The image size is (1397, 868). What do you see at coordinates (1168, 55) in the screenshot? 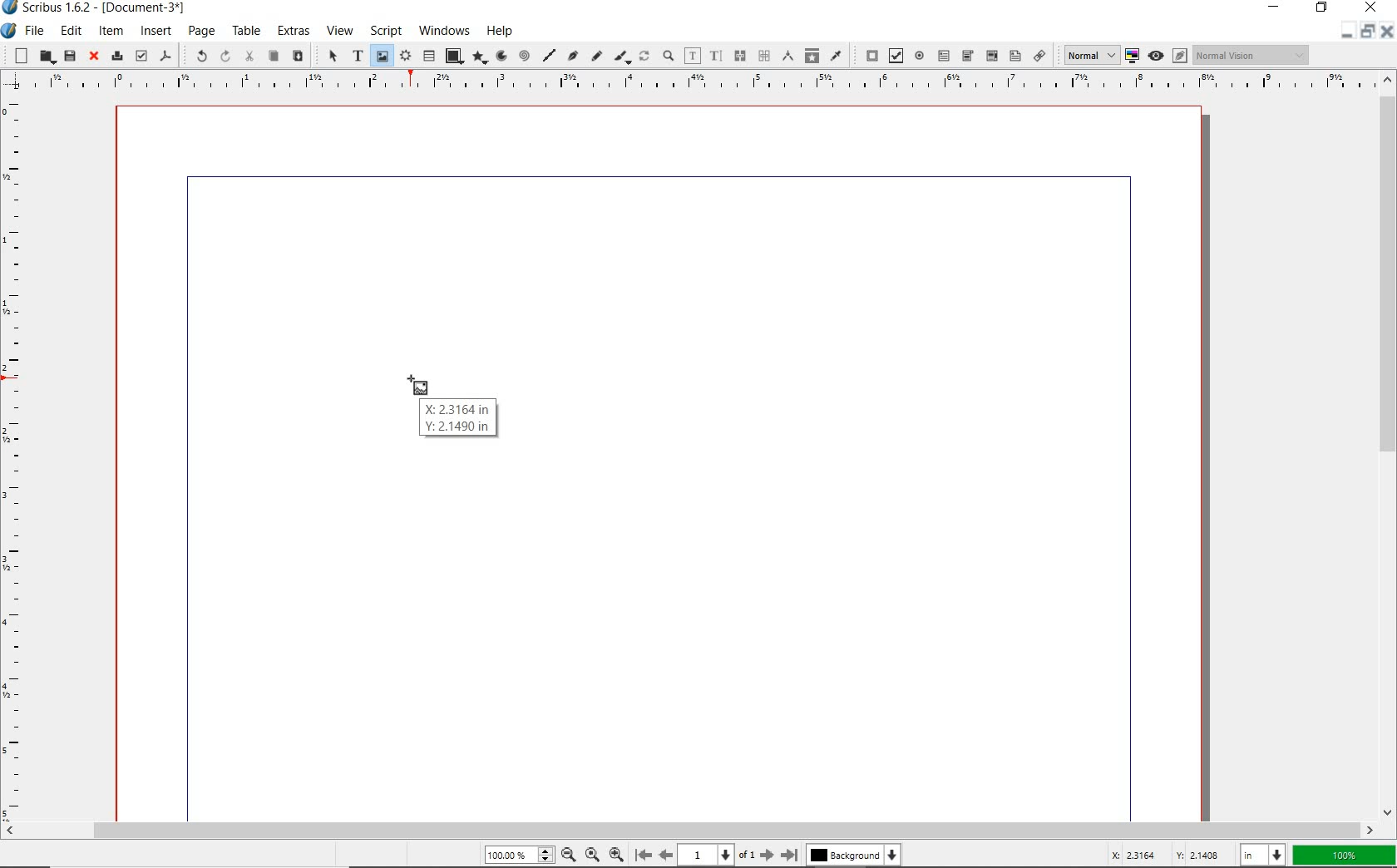
I see `preview mode` at bounding box center [1168, 55].